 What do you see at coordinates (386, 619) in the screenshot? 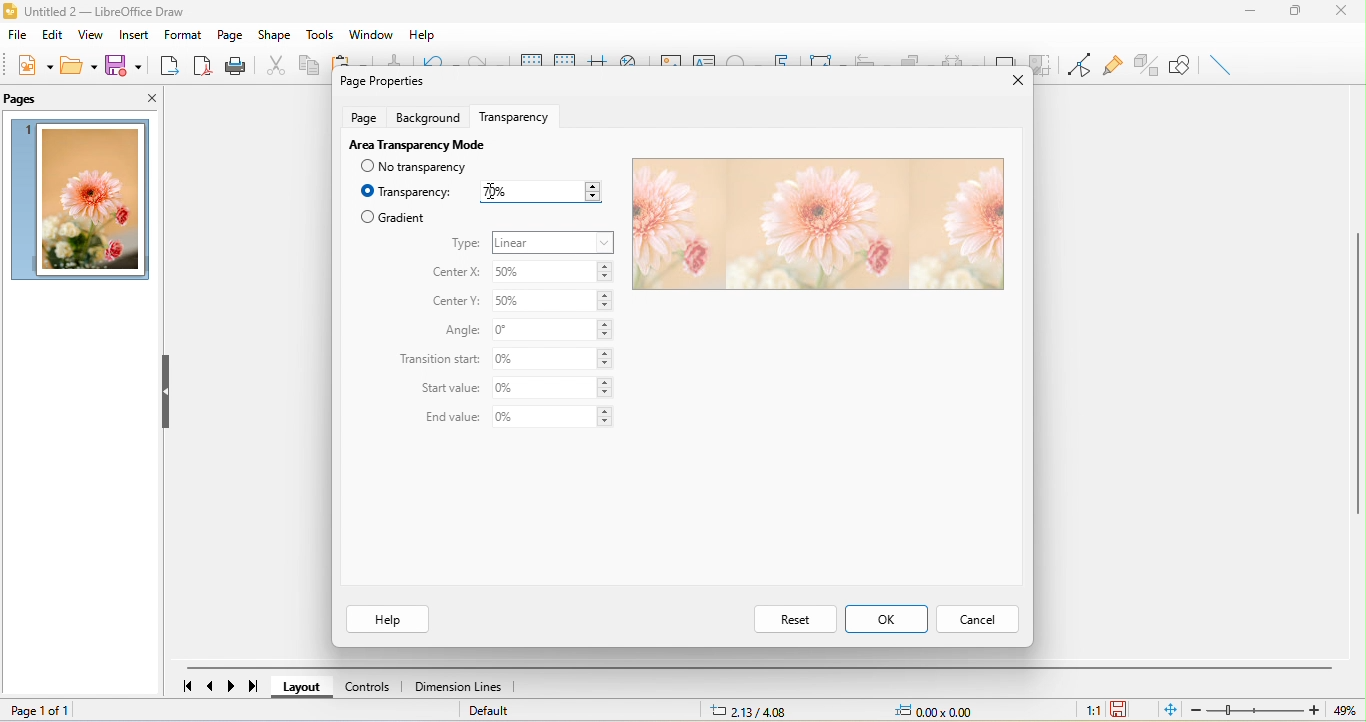
I see `help` at bounding box center [386, 619].